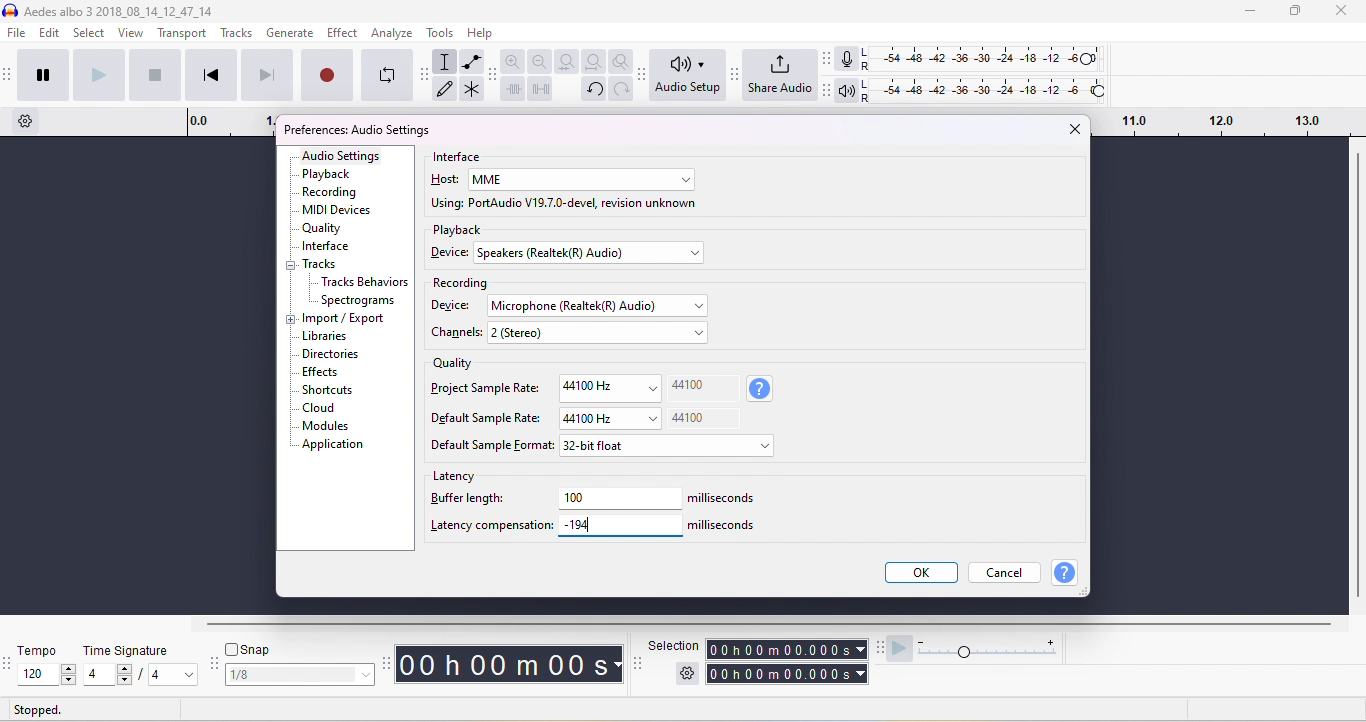 The height and width of the screenshot is (722, 1366). Describe the element at coordinates (608, 388) in the screenshot. I see `44100Hz` at that location.